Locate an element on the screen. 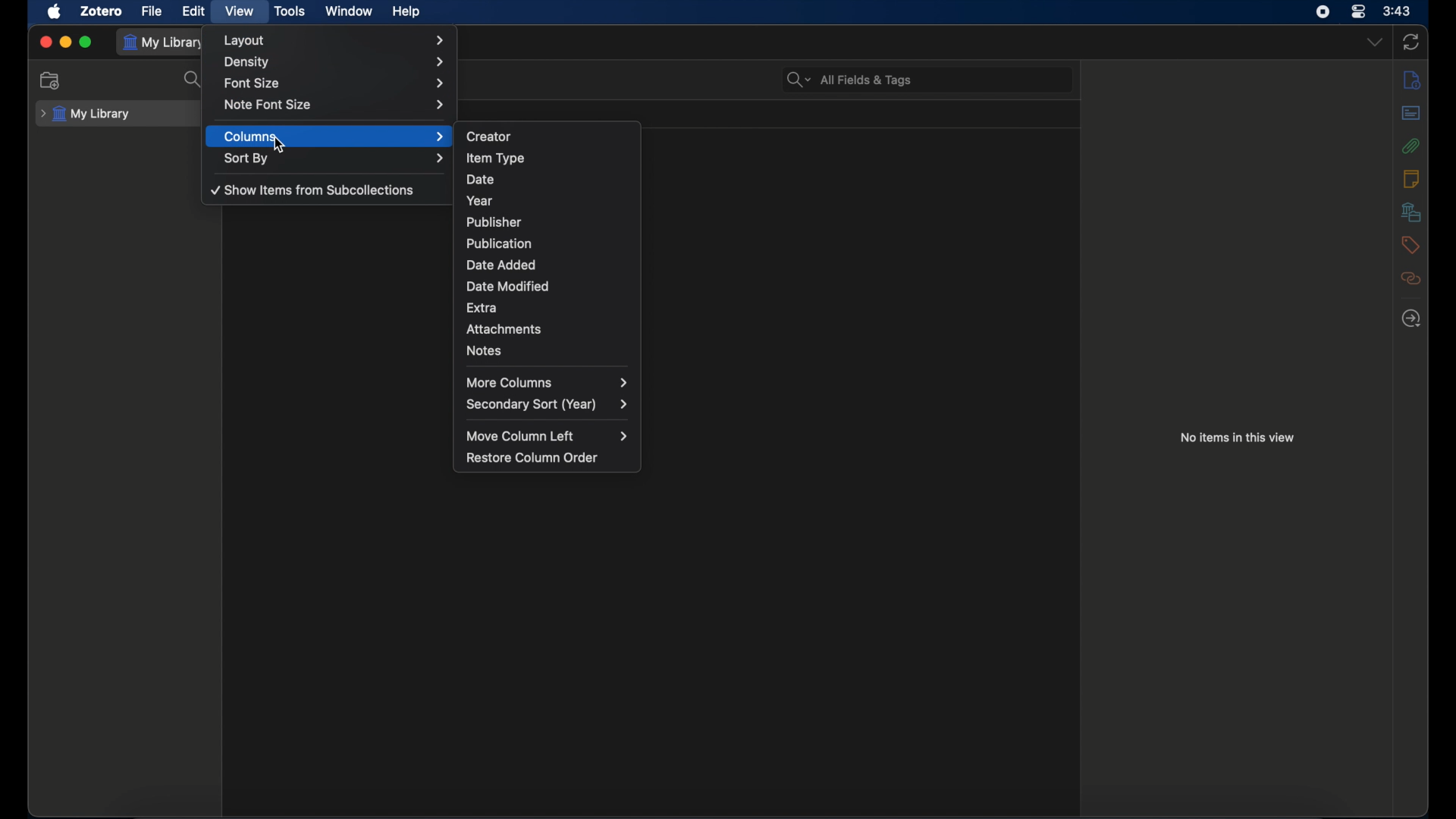 The width and height of the screenshot is (1456, 819). sort by is located at coordinates (336, 158).